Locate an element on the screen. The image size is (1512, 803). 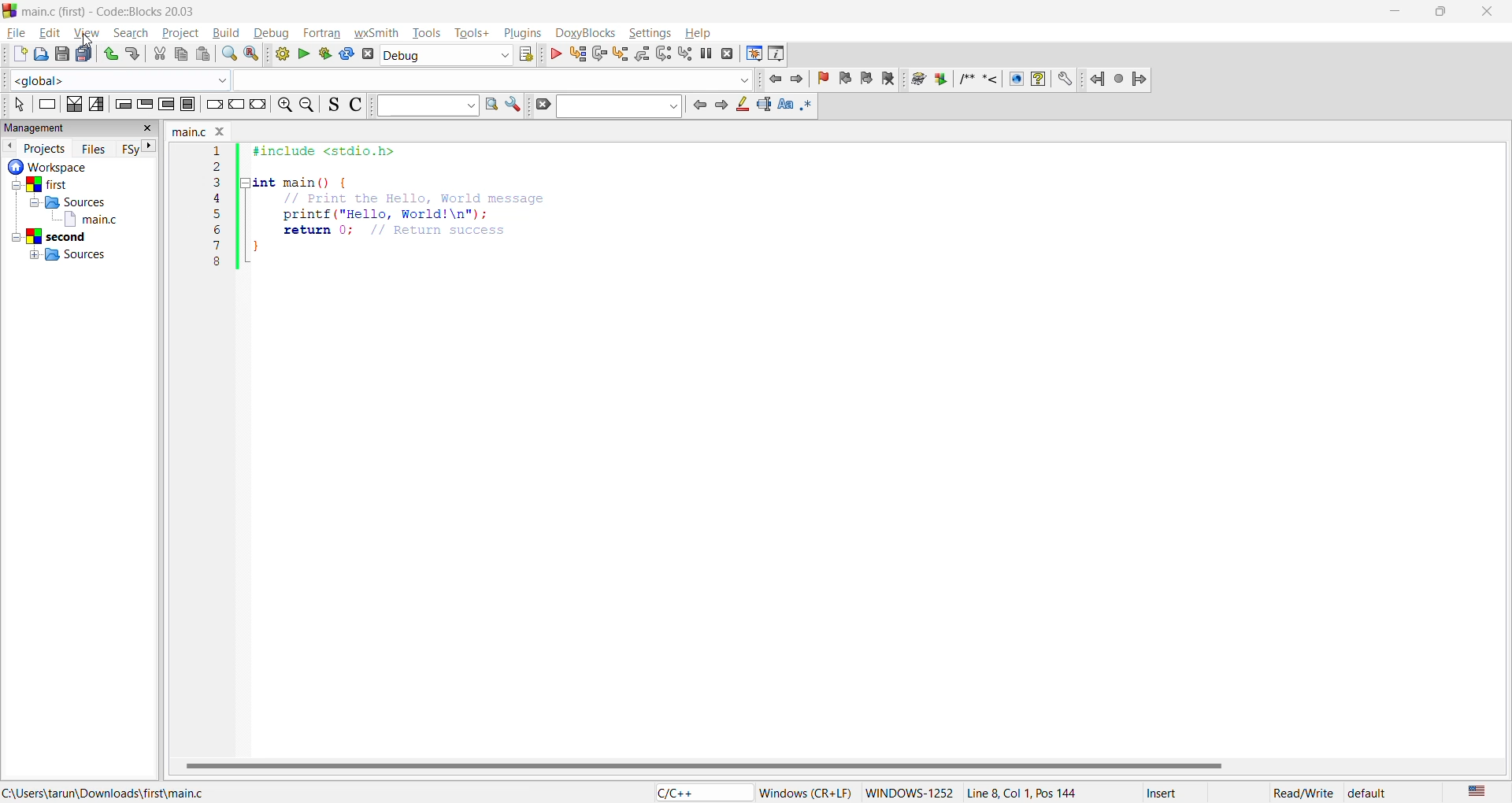
wxsmith is located at coordinates (377, 33).